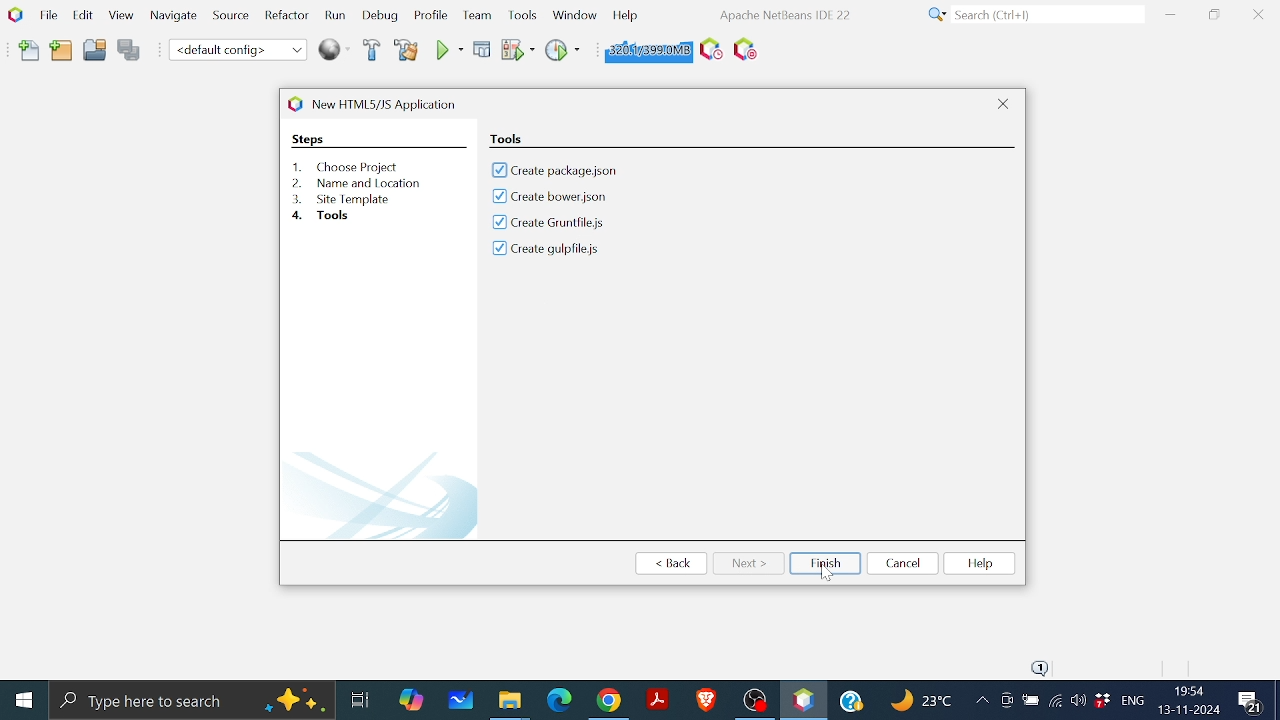 This screenshot has height=720, width=1280. I want to click on Add file, so click(30, 51).